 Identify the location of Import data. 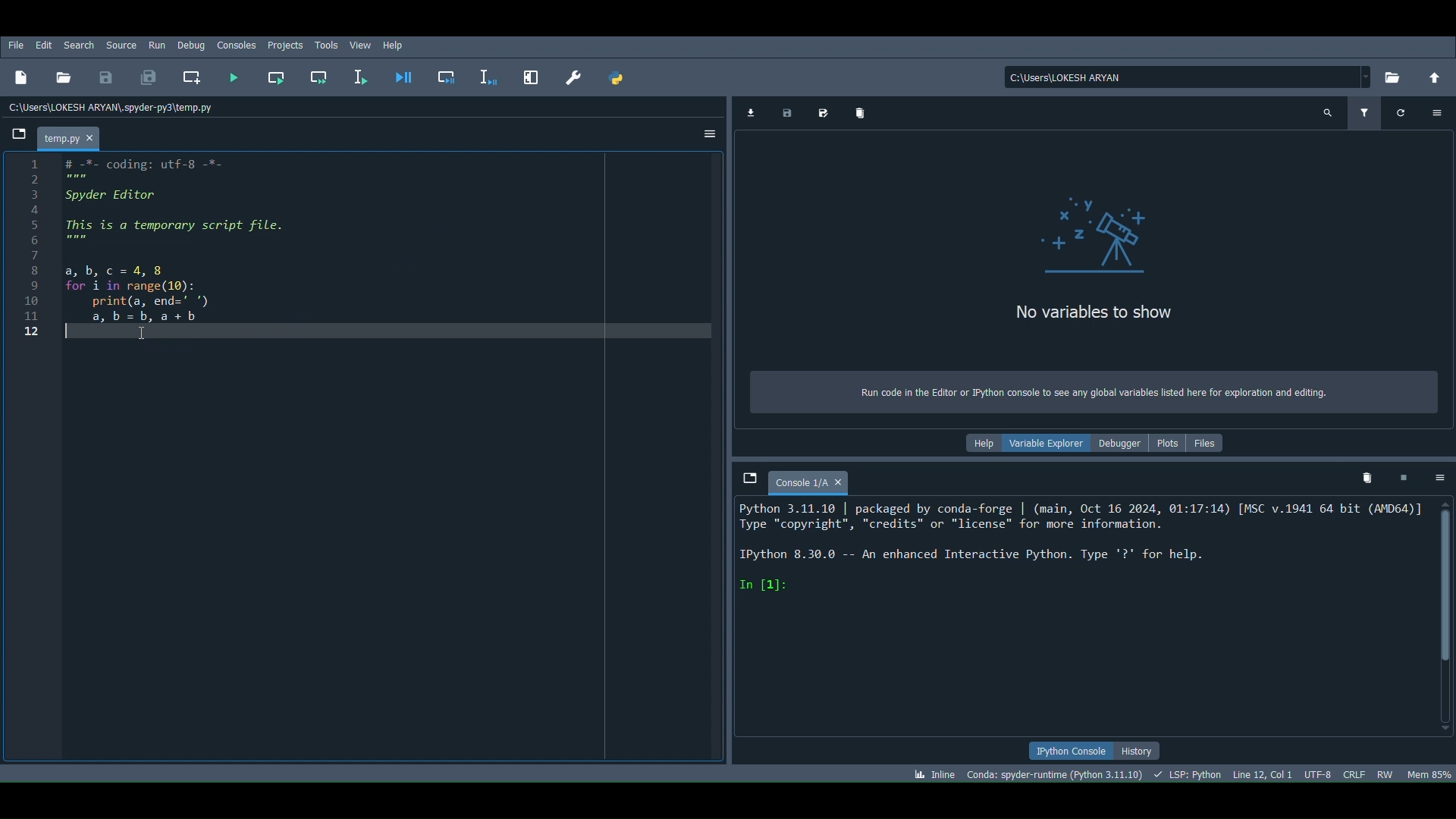
(752, 110).